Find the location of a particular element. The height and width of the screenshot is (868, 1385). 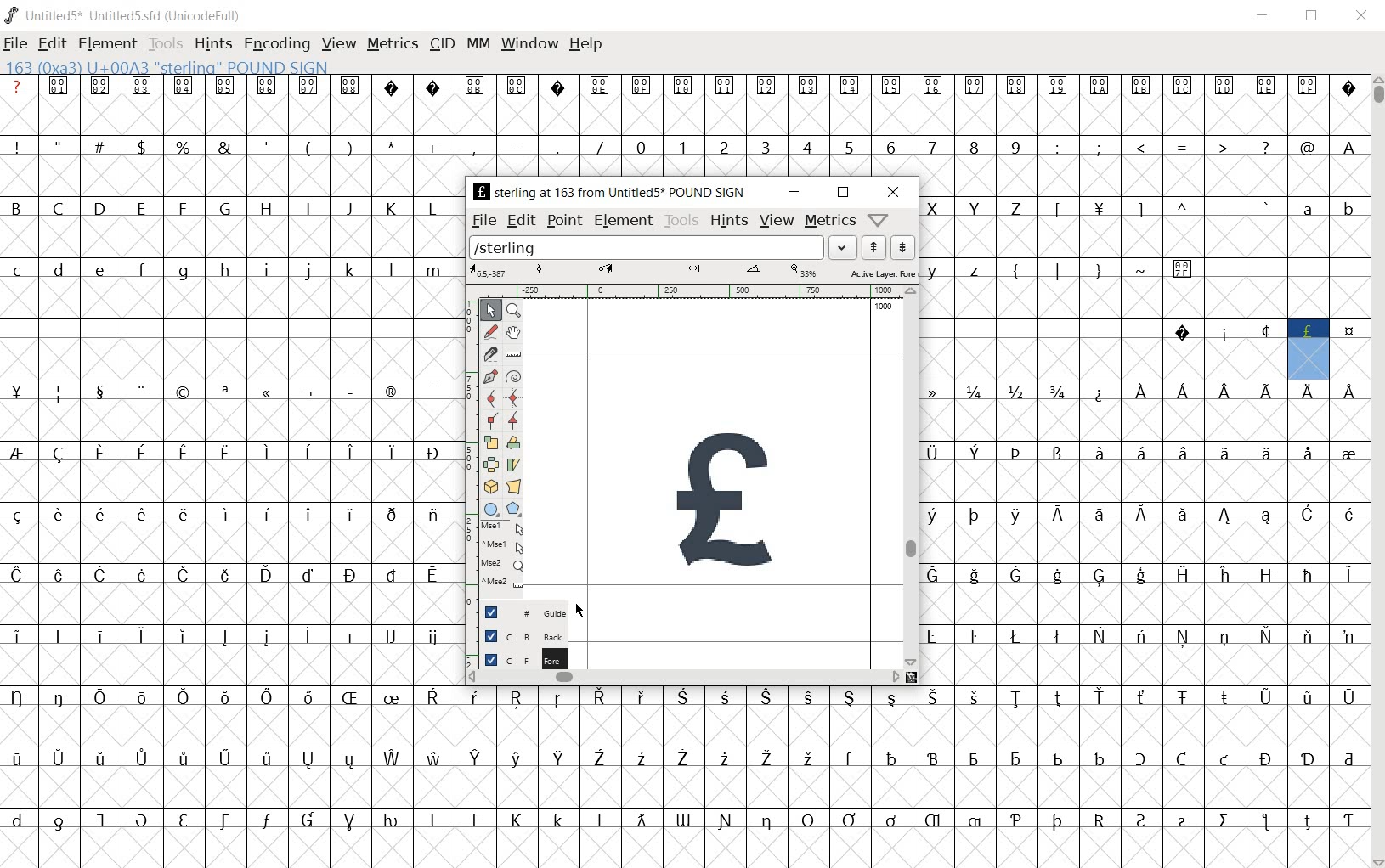

Y is located at coordinates (973, 208).